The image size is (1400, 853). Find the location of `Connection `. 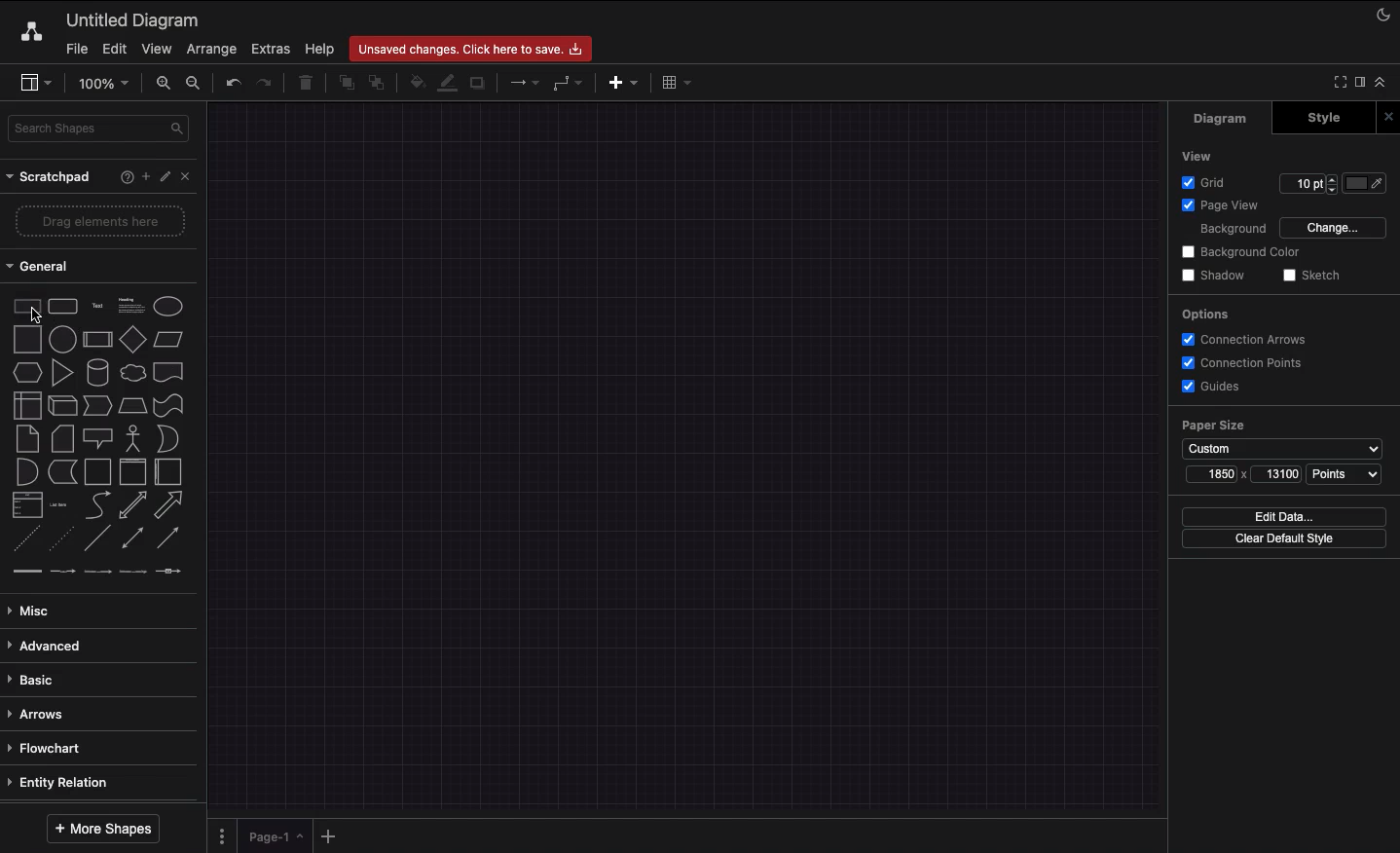

Connection  is located at coordinates (522, 83).